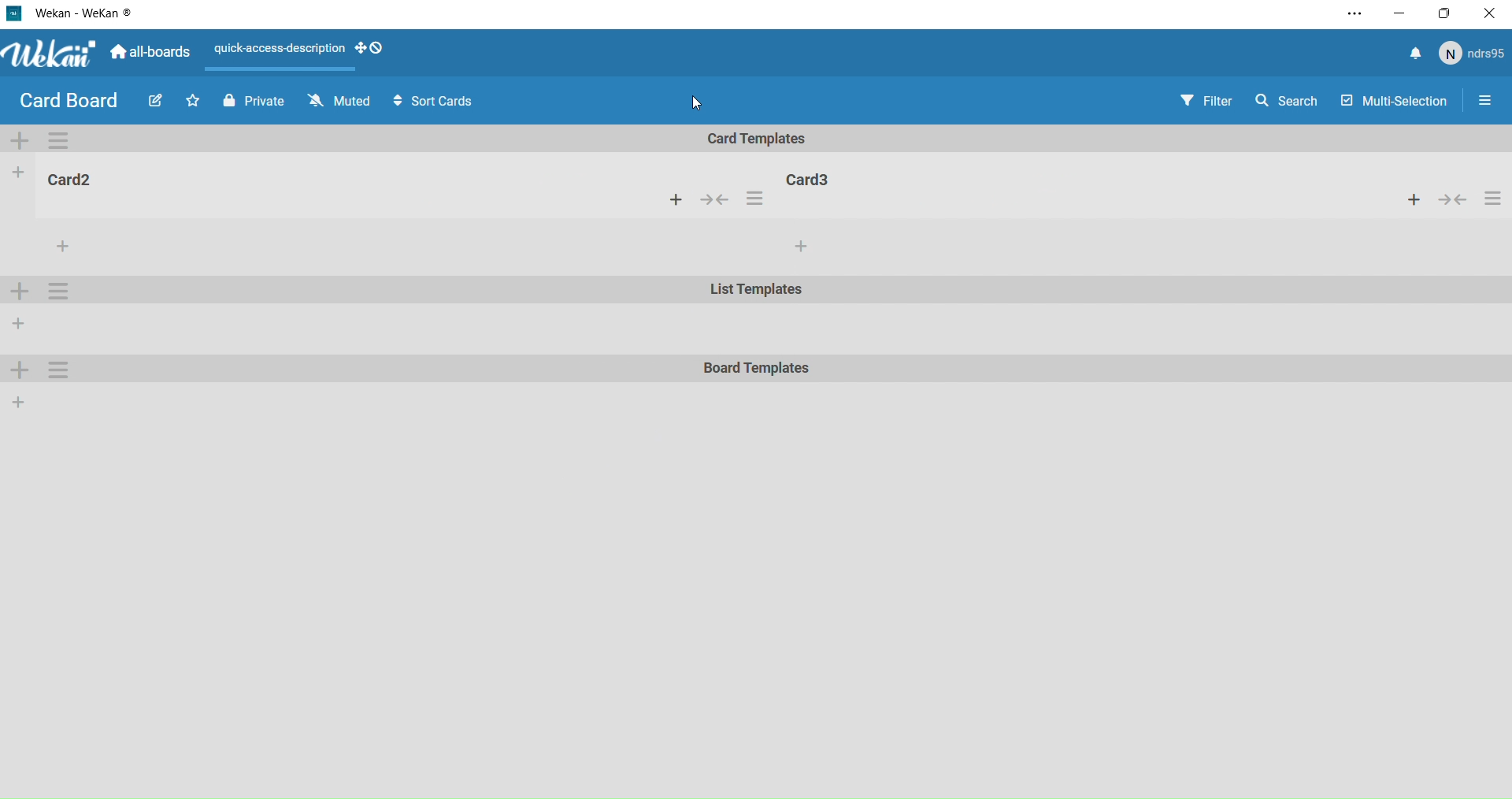  What do you see at coordinates (1492, 12) in the screenshot?
I see `Close` at bounding box center [1492, 12].